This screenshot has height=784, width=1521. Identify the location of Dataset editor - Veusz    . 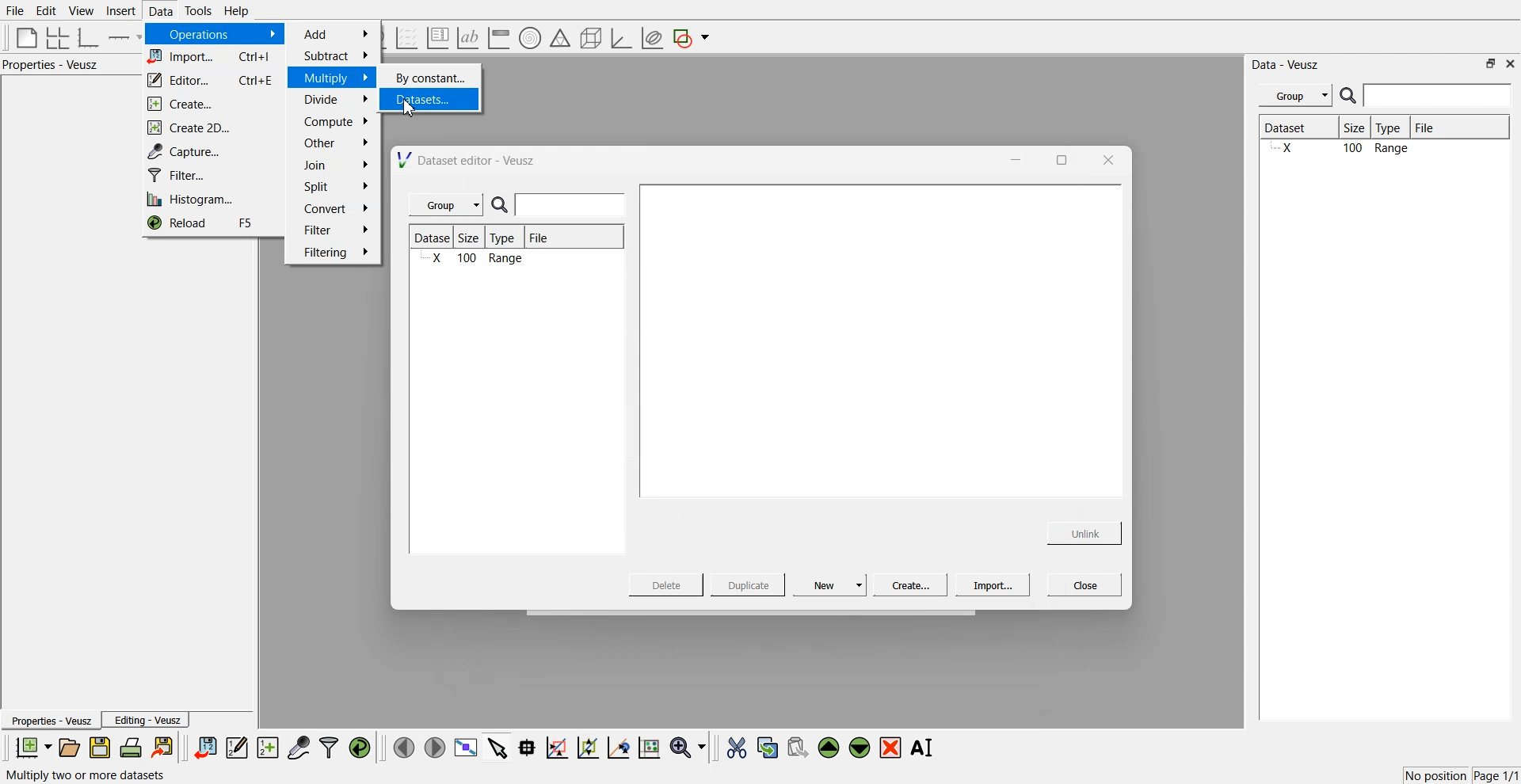
(468, 160).